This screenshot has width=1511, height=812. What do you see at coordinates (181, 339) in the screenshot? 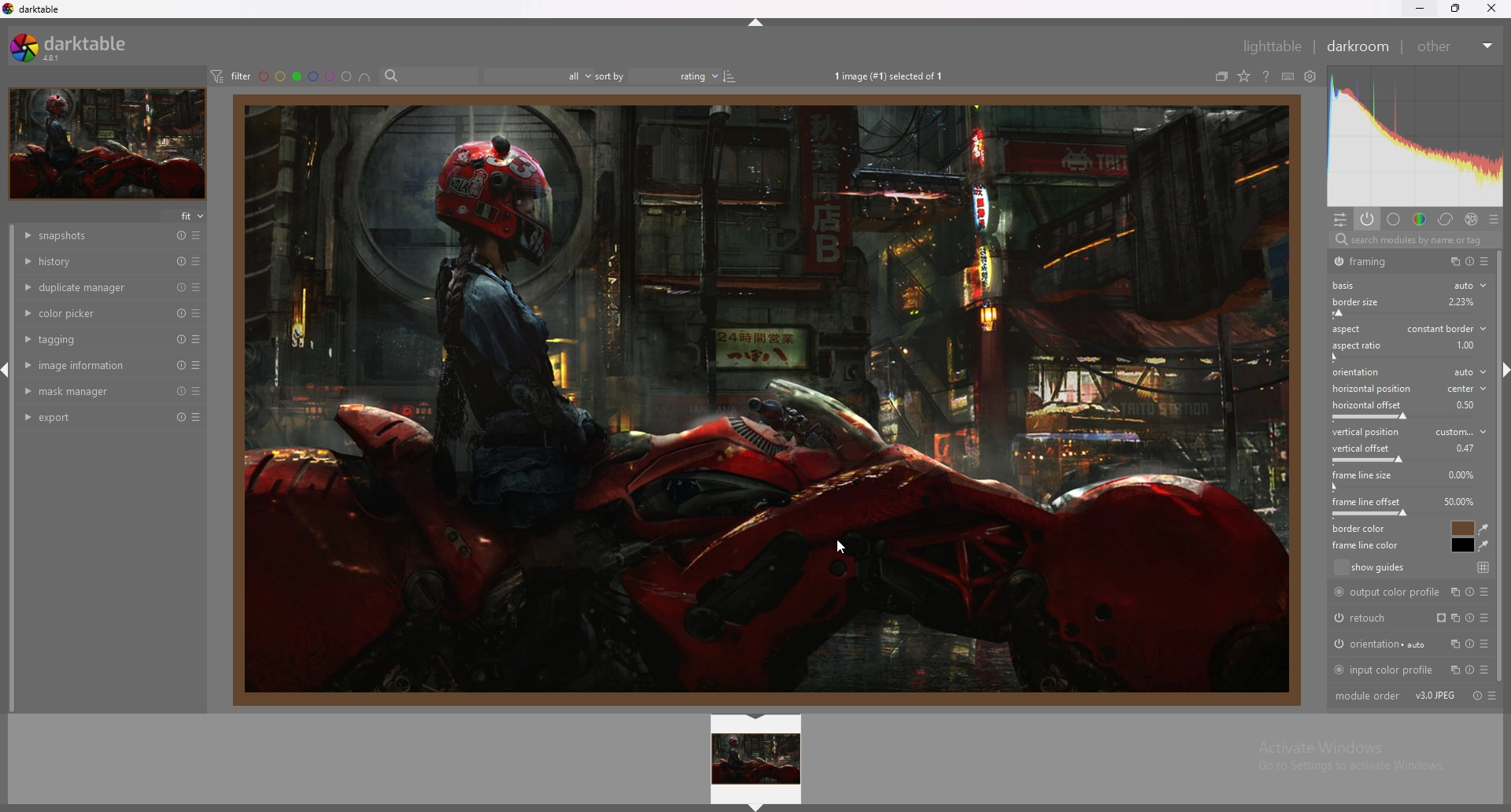
I see `reset` at bounding box center [181, 339].